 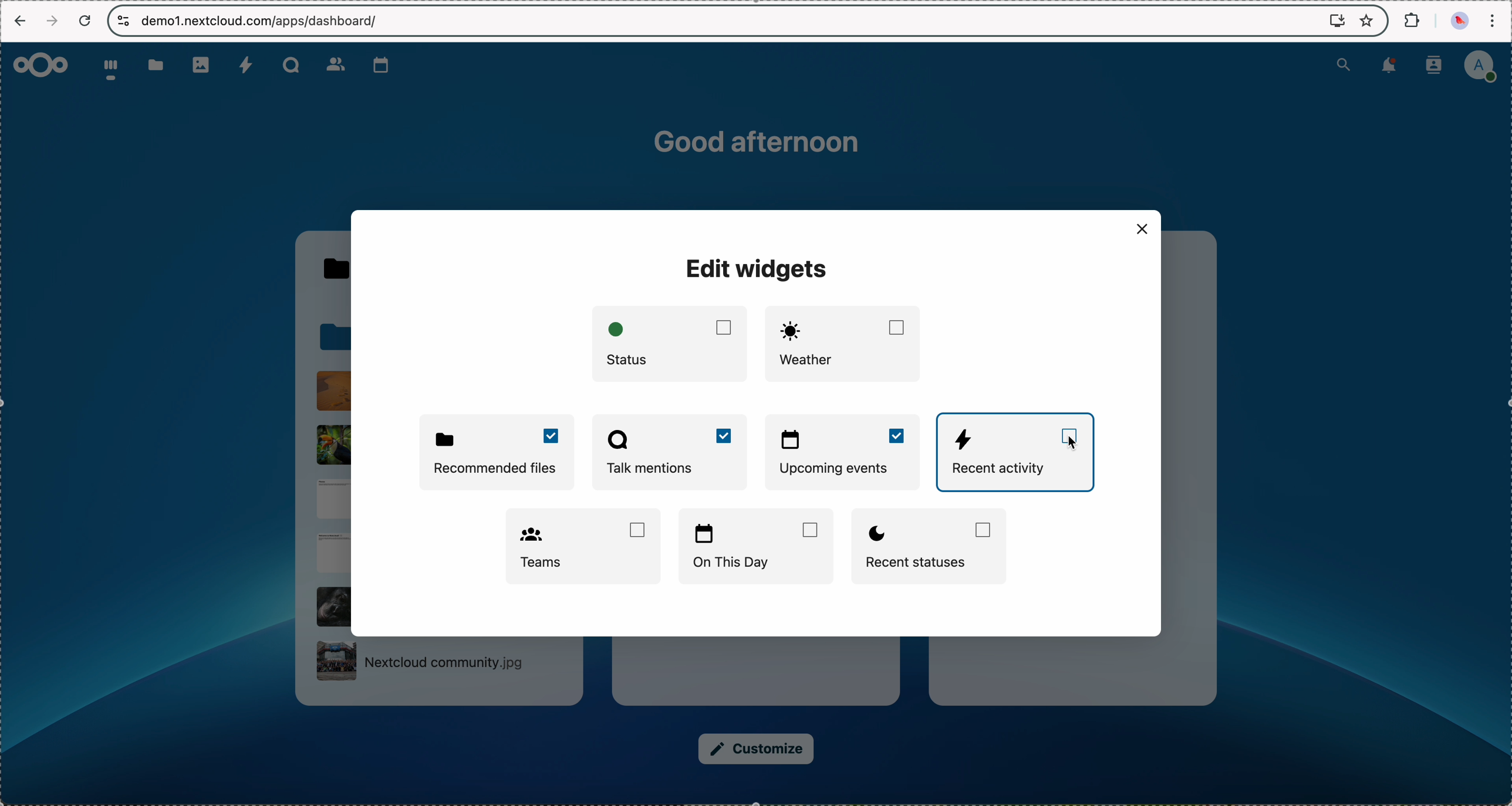 What do you see at coordinates (330, 392) in the screenshot?
I see `file` at bounding box center [330, 392].